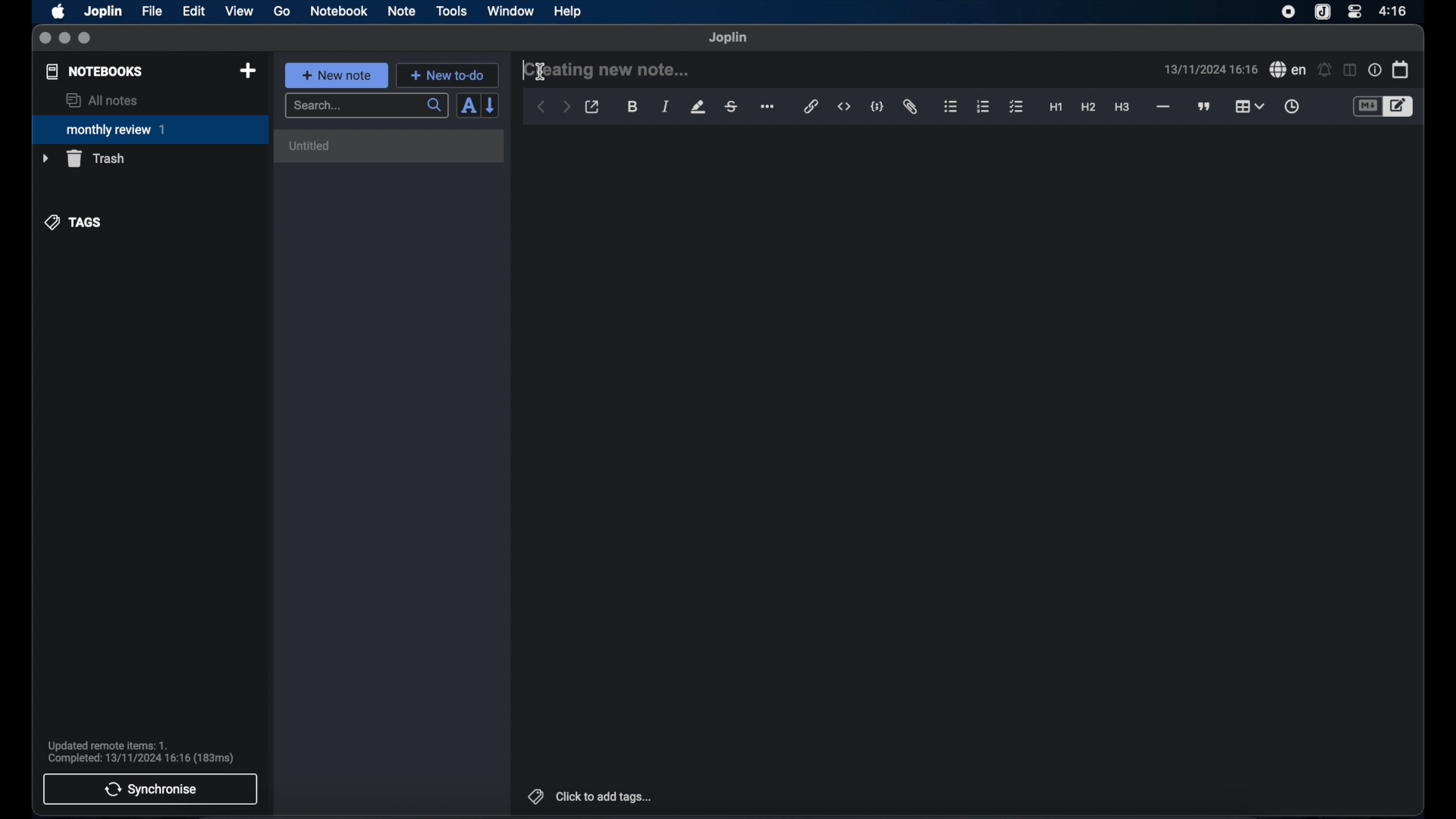 The image size is (1456, 819). I want to click on heading 2, so click(1089, 108).